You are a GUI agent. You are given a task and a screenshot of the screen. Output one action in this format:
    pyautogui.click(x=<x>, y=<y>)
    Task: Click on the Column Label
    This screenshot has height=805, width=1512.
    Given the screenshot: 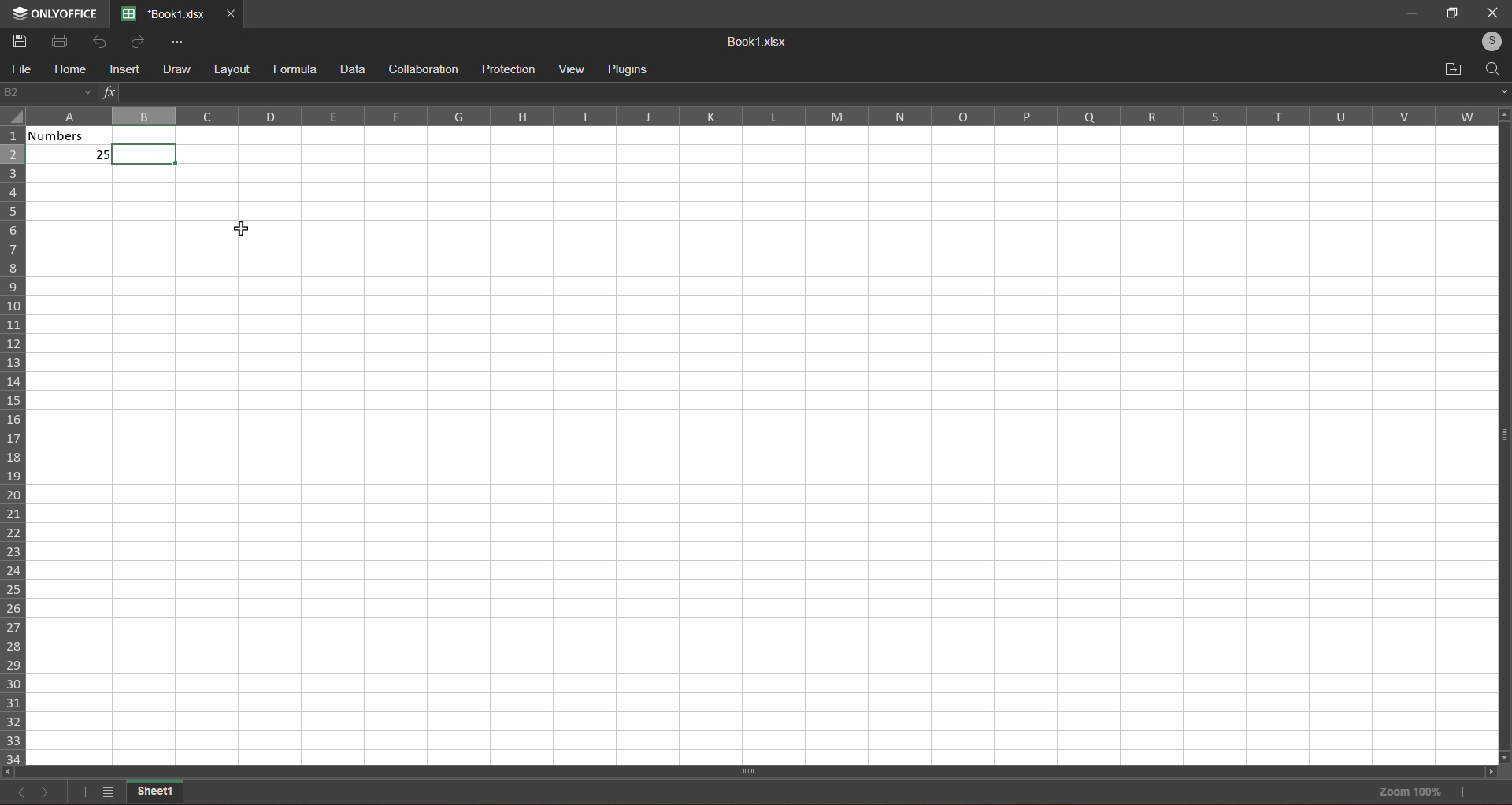 What is the action you would take?
    pyautogui.click(x=752, y=116)
    